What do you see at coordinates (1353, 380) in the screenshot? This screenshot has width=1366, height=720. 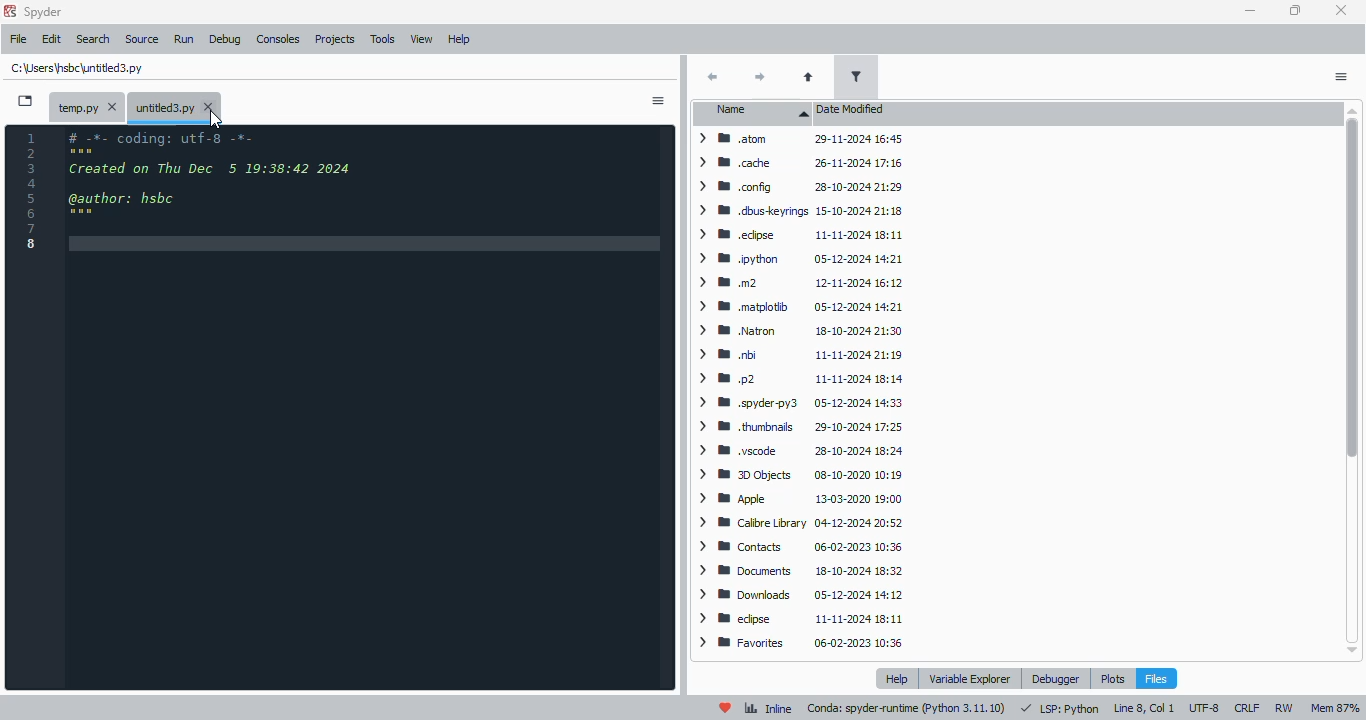 I see `vertical scroll bar` at bounding box center [1353, 380].